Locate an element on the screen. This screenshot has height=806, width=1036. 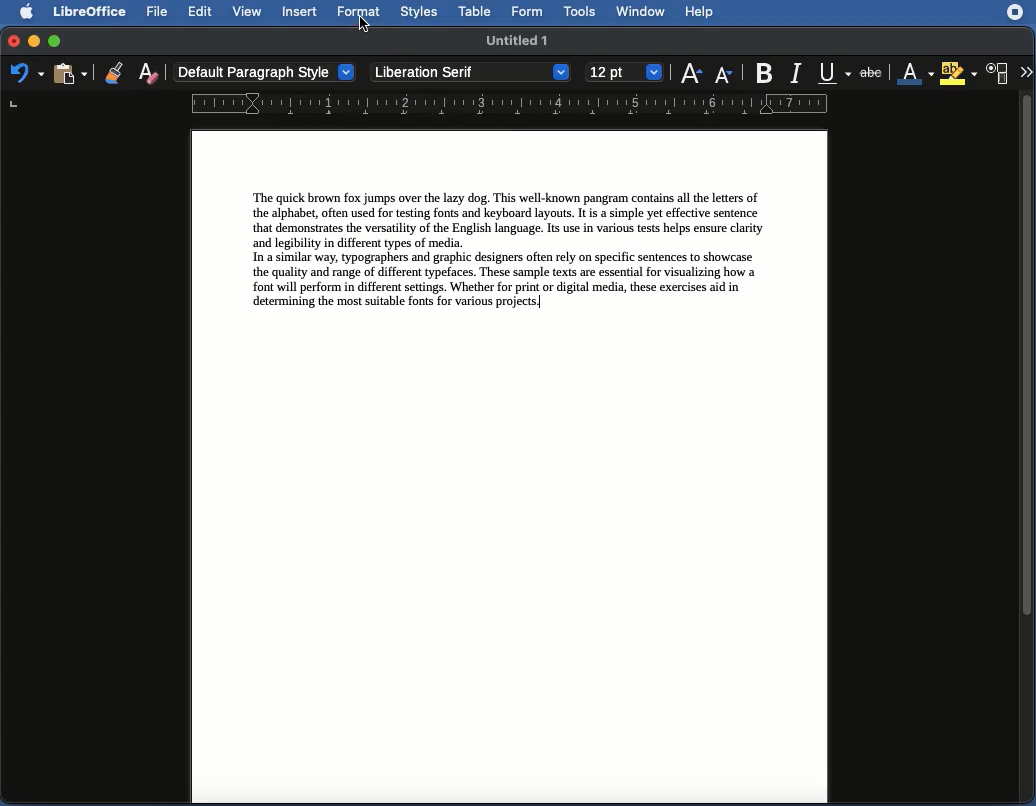
‘The quick brown fox jumps over the lazy dog, This well-known pangram contains all the letters of
the alphabet, often used for testing font and keyboard layouts. It s a simple yet effective sentence
that demonstrate the versatility of the English language. Its use in various tests helps ensure clarity
and legibility in diferent types of media

In. similar way, typographers and graphic designers often rly on specific sentences o showcase
the quality and range of different typefaces. These sample texts are essential for visualizing how a
font will perform in different settings. Whether or prin or digital media, these exercises aid in
determining the most suitable fonts for various projects] is located at coordinates (512, 251).